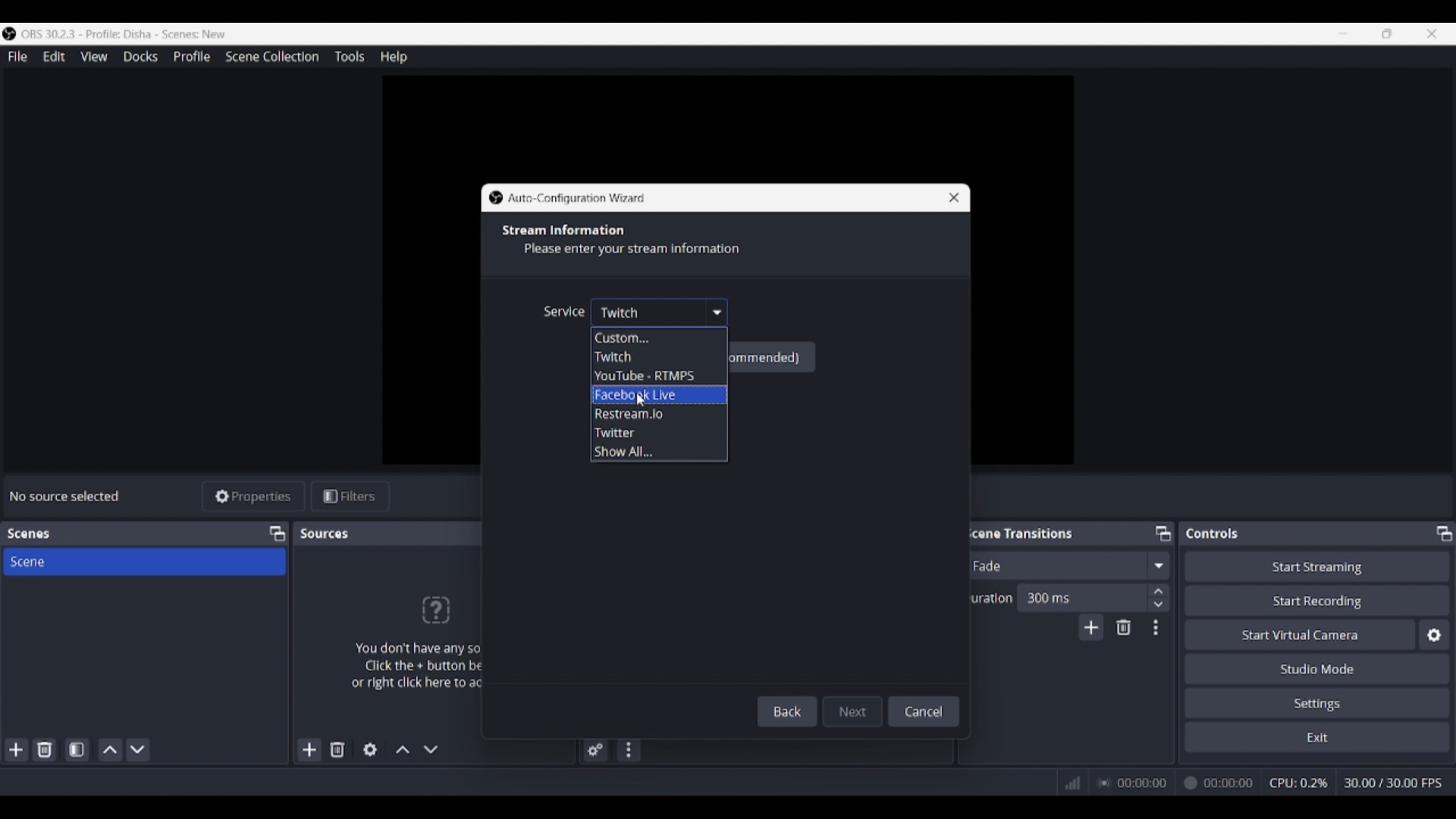 The width and height of the screenshot is (1456, 819). I want to click on Edit menu, so click(53, 57).